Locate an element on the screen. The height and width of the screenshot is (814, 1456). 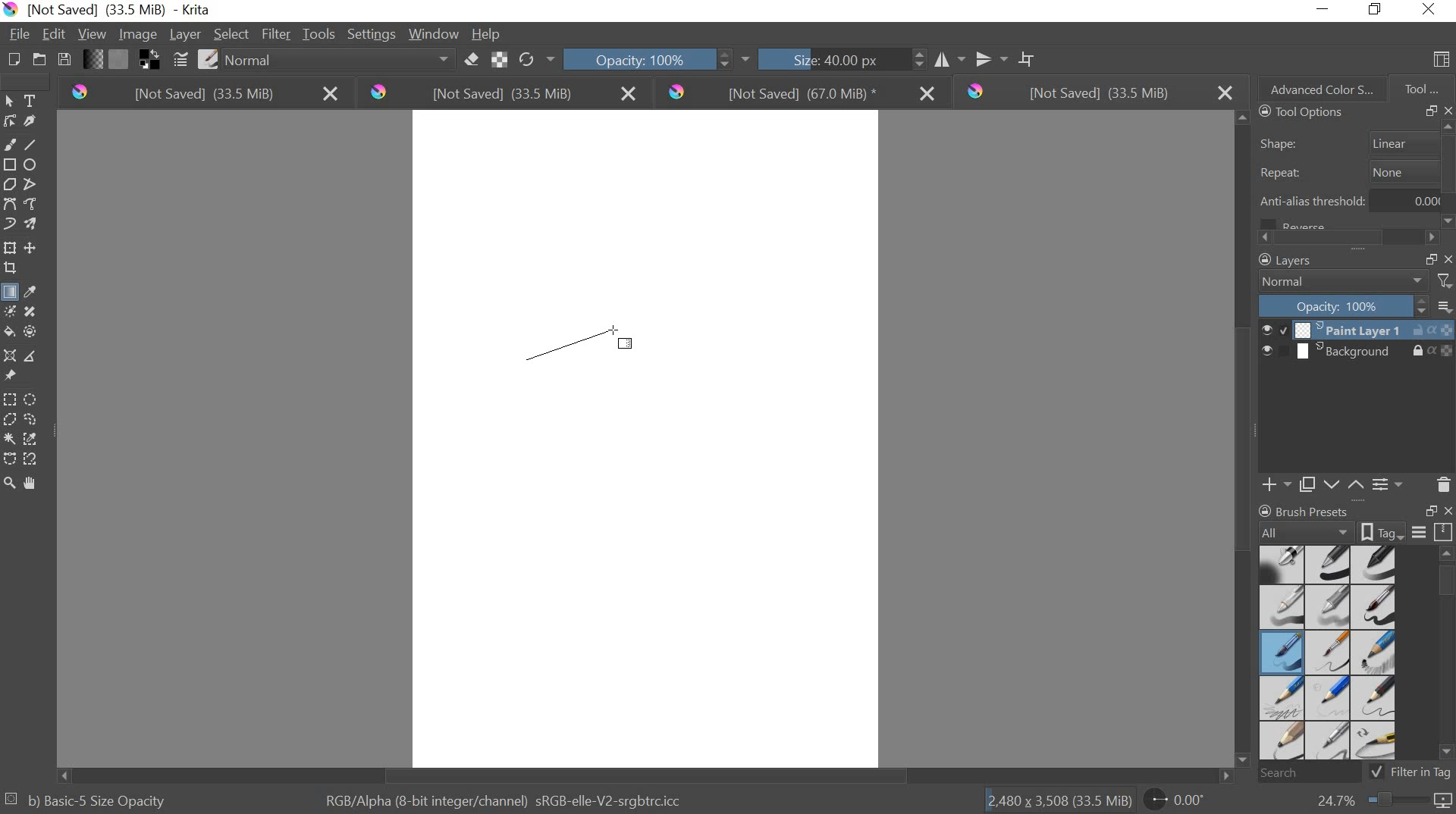
bezier curve is located at coordinates (12, 205).